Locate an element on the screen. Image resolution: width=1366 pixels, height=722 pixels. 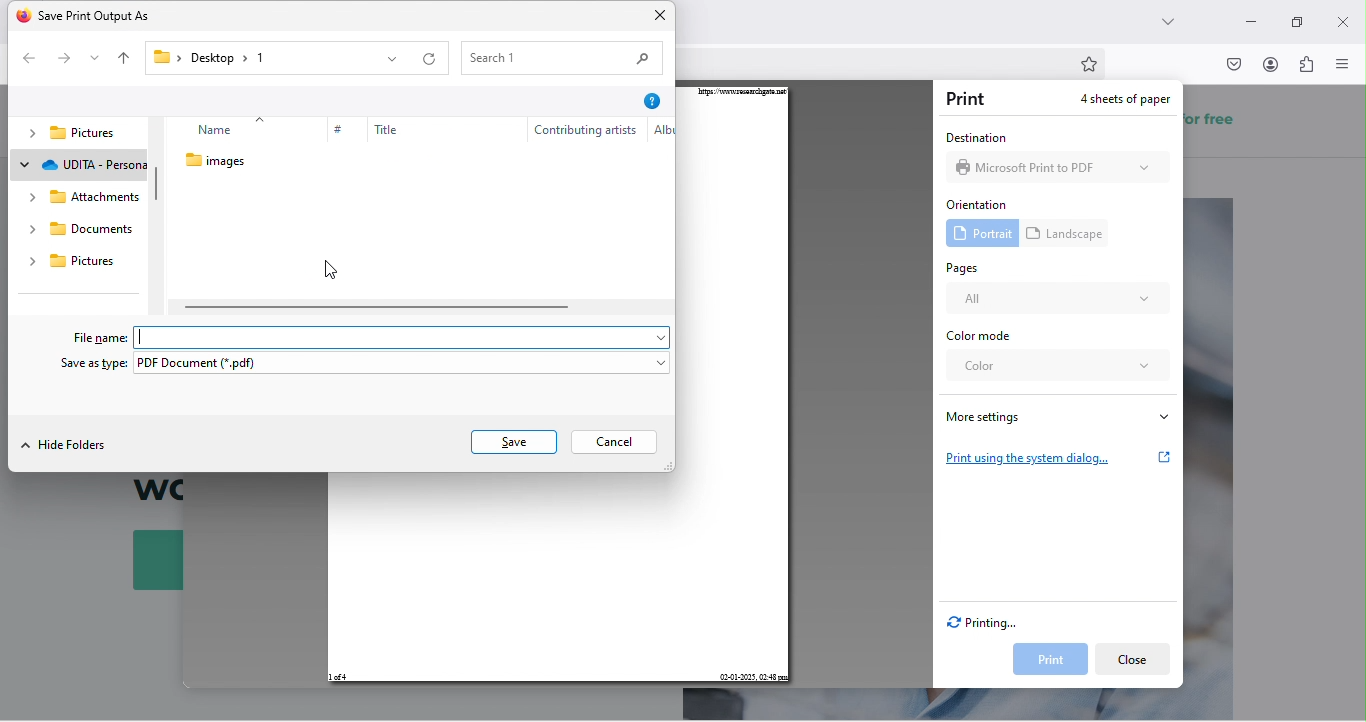
portrait is located at coordinates (978, 234).